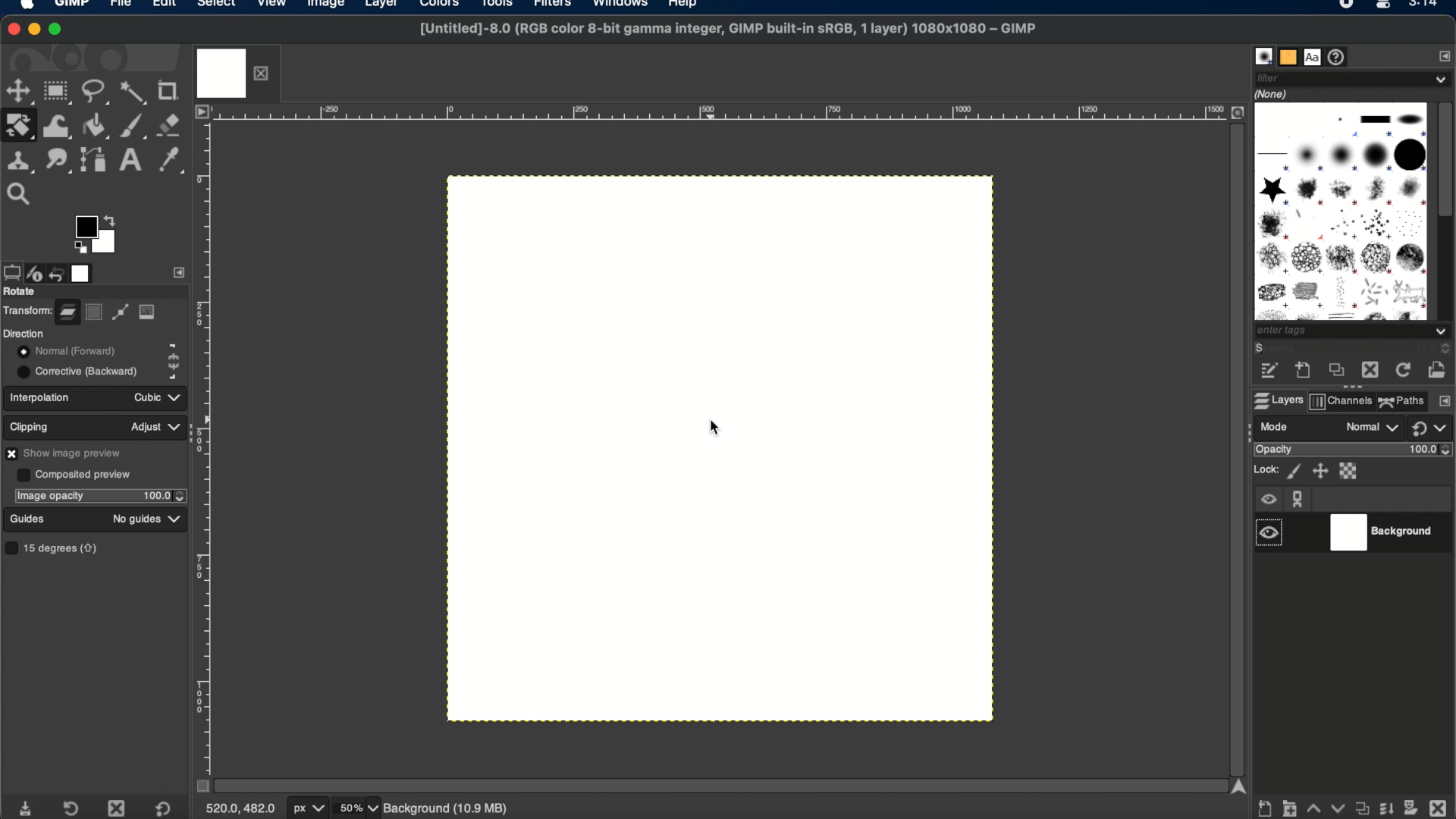 The image size is (1456, 819). What do you see at coordinates (169, 808) in the screenshot?
I see `restore to default value` at bounding box center [169, 808].